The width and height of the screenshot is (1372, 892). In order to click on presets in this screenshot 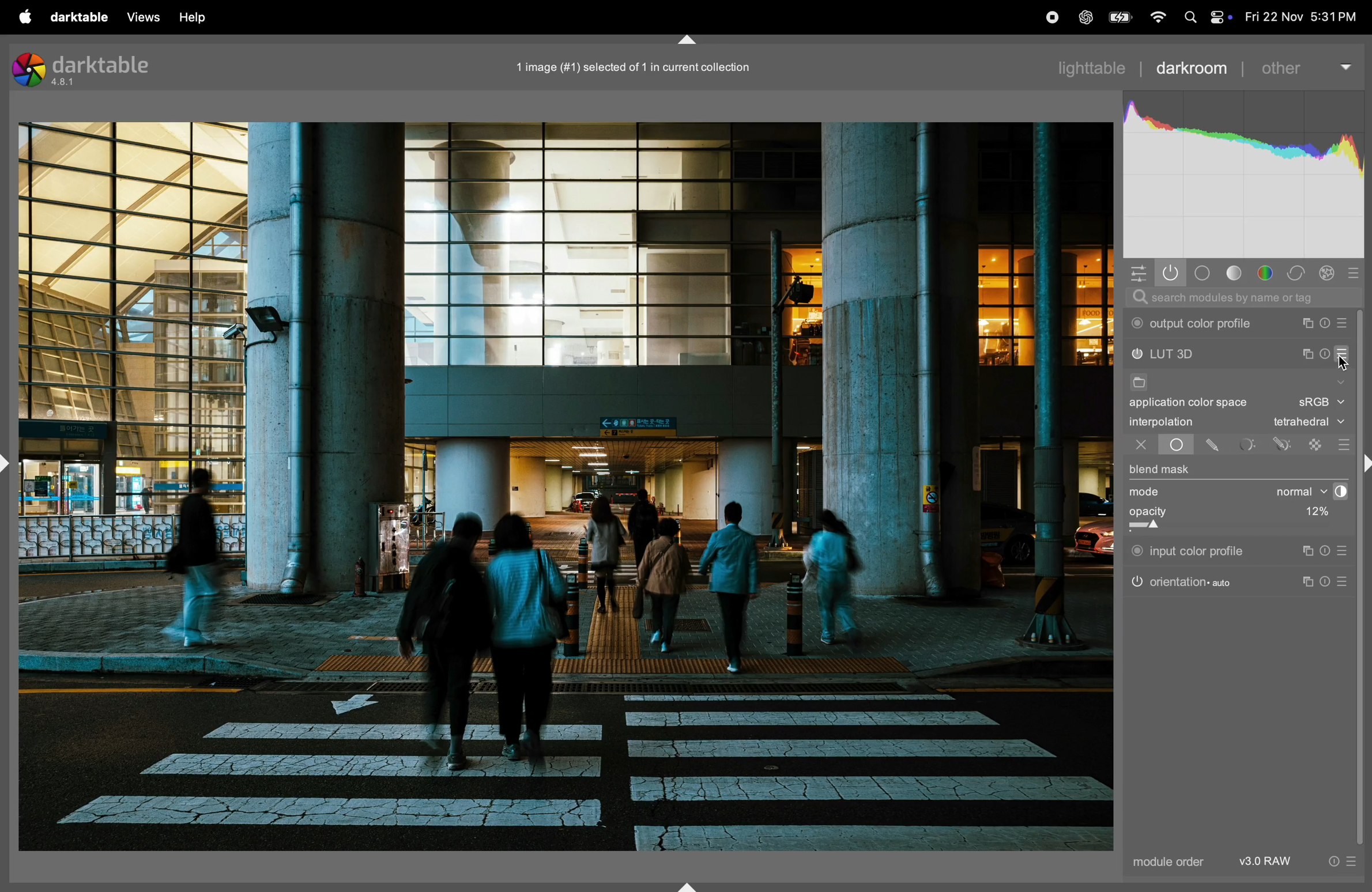, I will do `click(1359, 271)`.